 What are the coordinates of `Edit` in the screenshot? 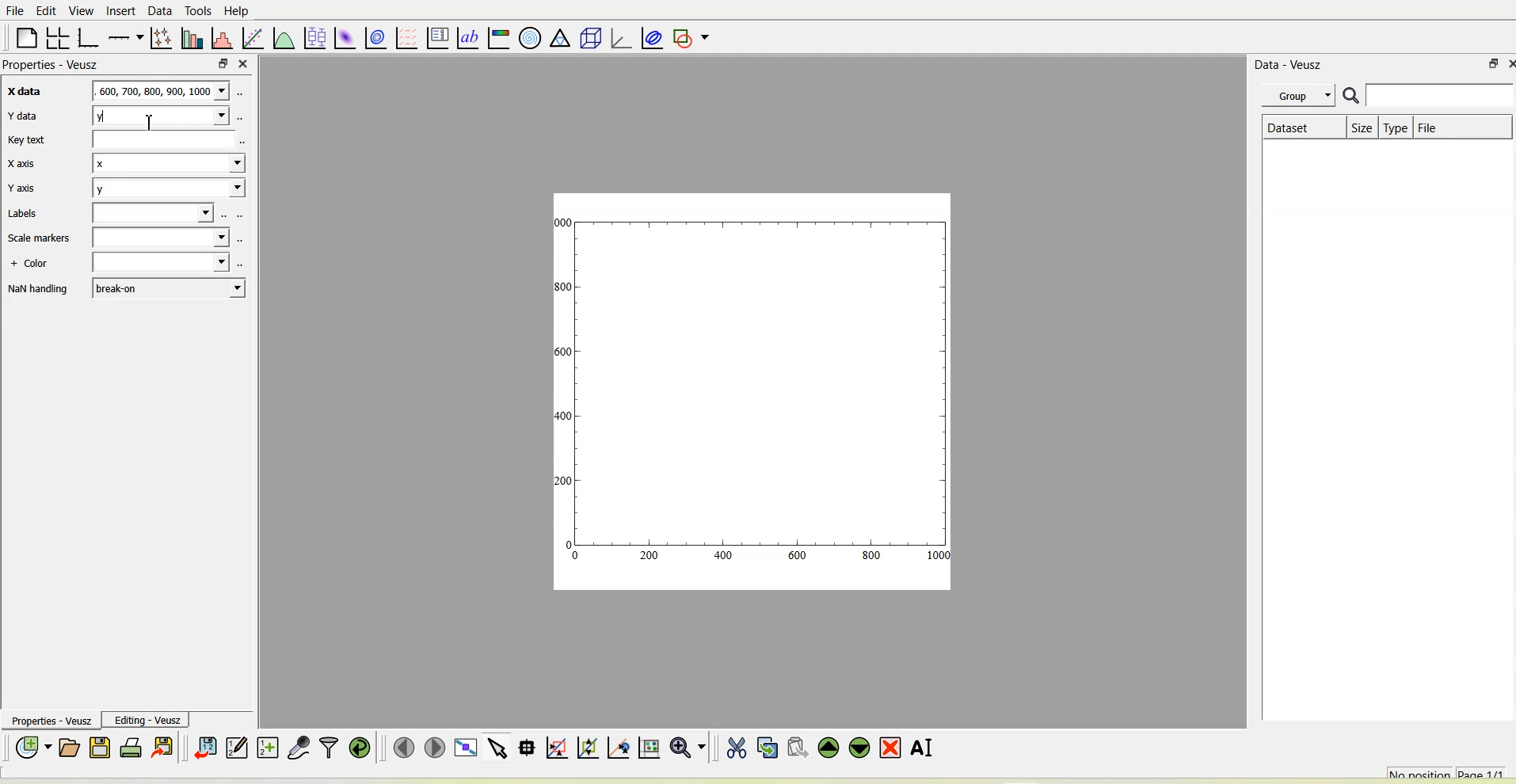 It's located at (47, 12).